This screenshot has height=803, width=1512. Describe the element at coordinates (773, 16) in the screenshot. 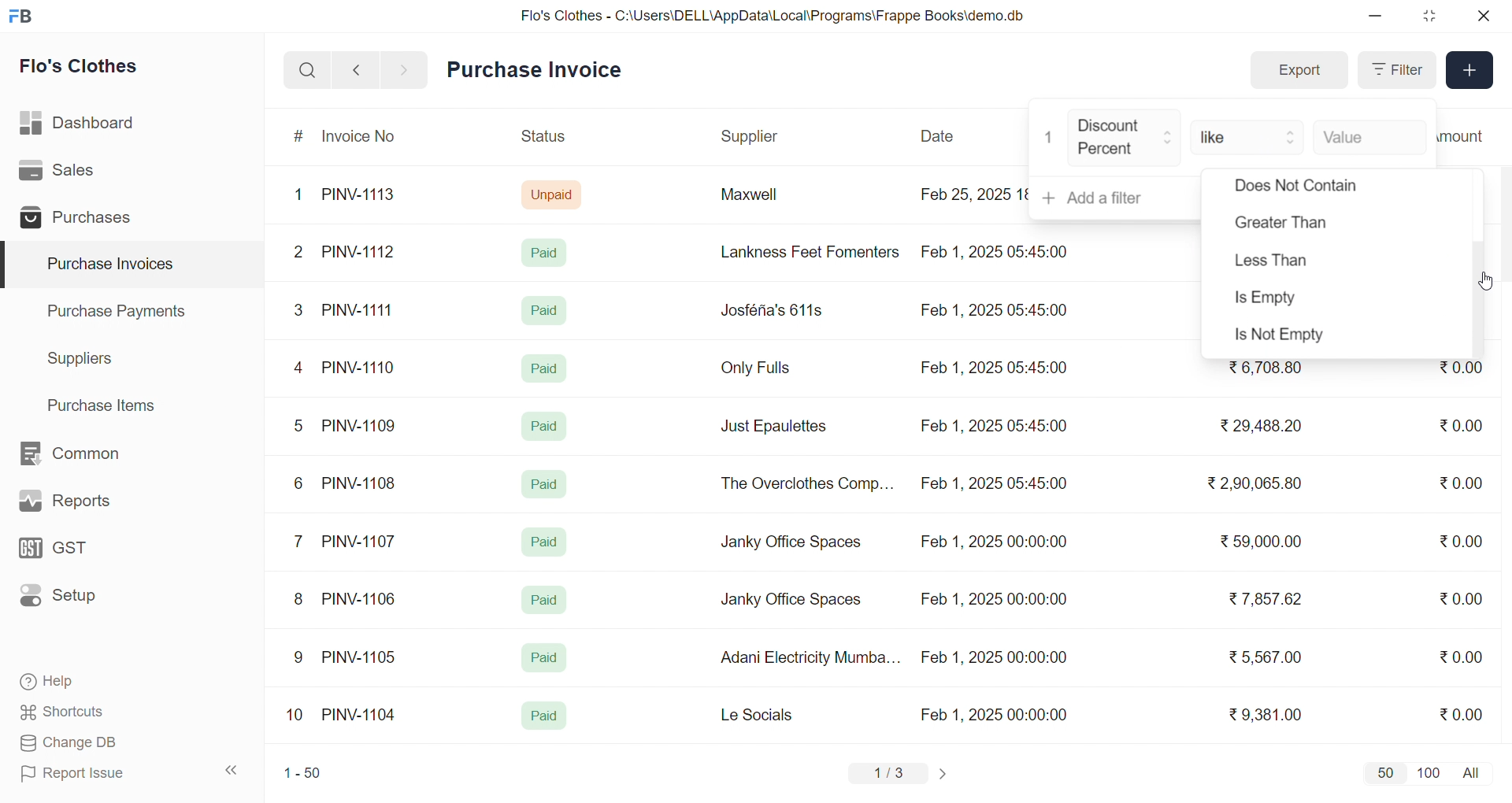

I see `Flo's Clothes - C:\Users\DELL\AppData\Local\Programs\Frappe Books\demo.db` at that location.